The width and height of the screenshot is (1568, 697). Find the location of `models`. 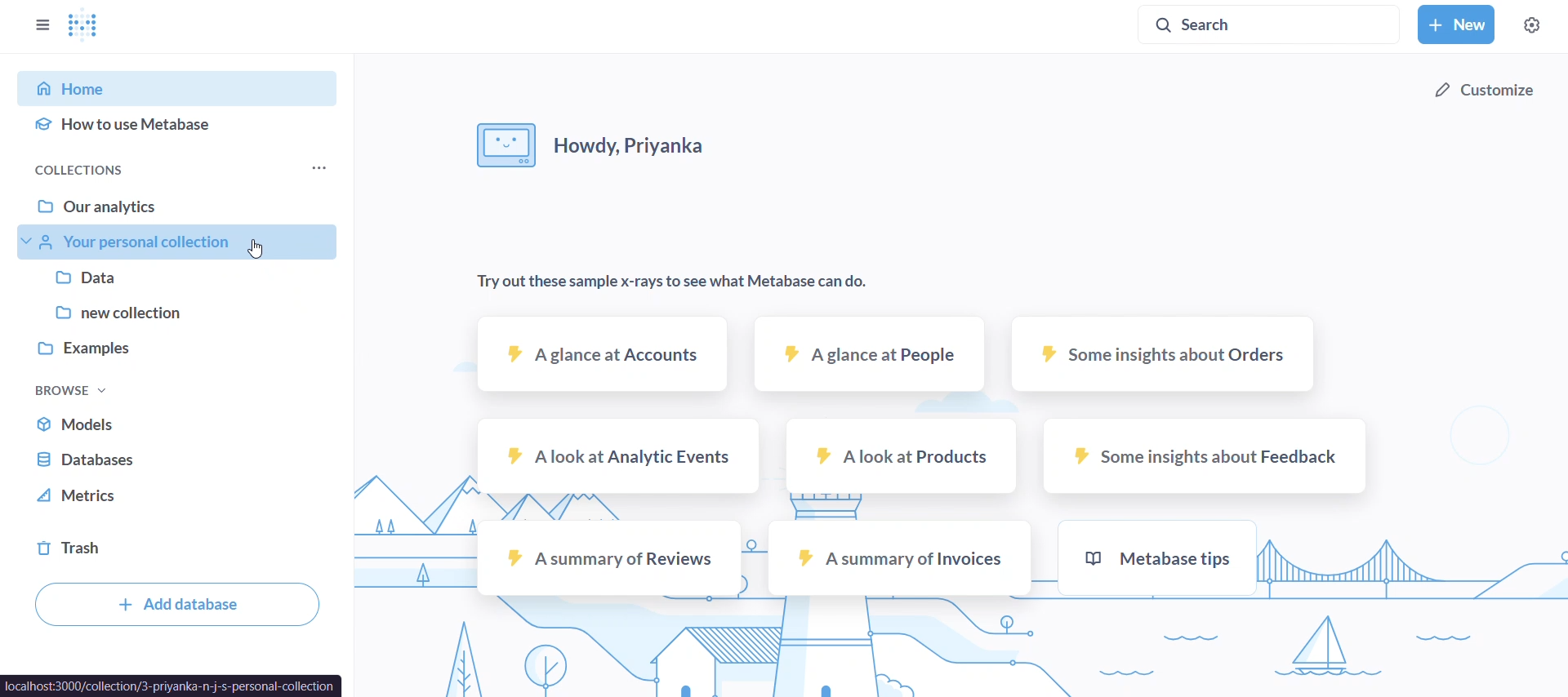

models is located at coordinates (187, 426).